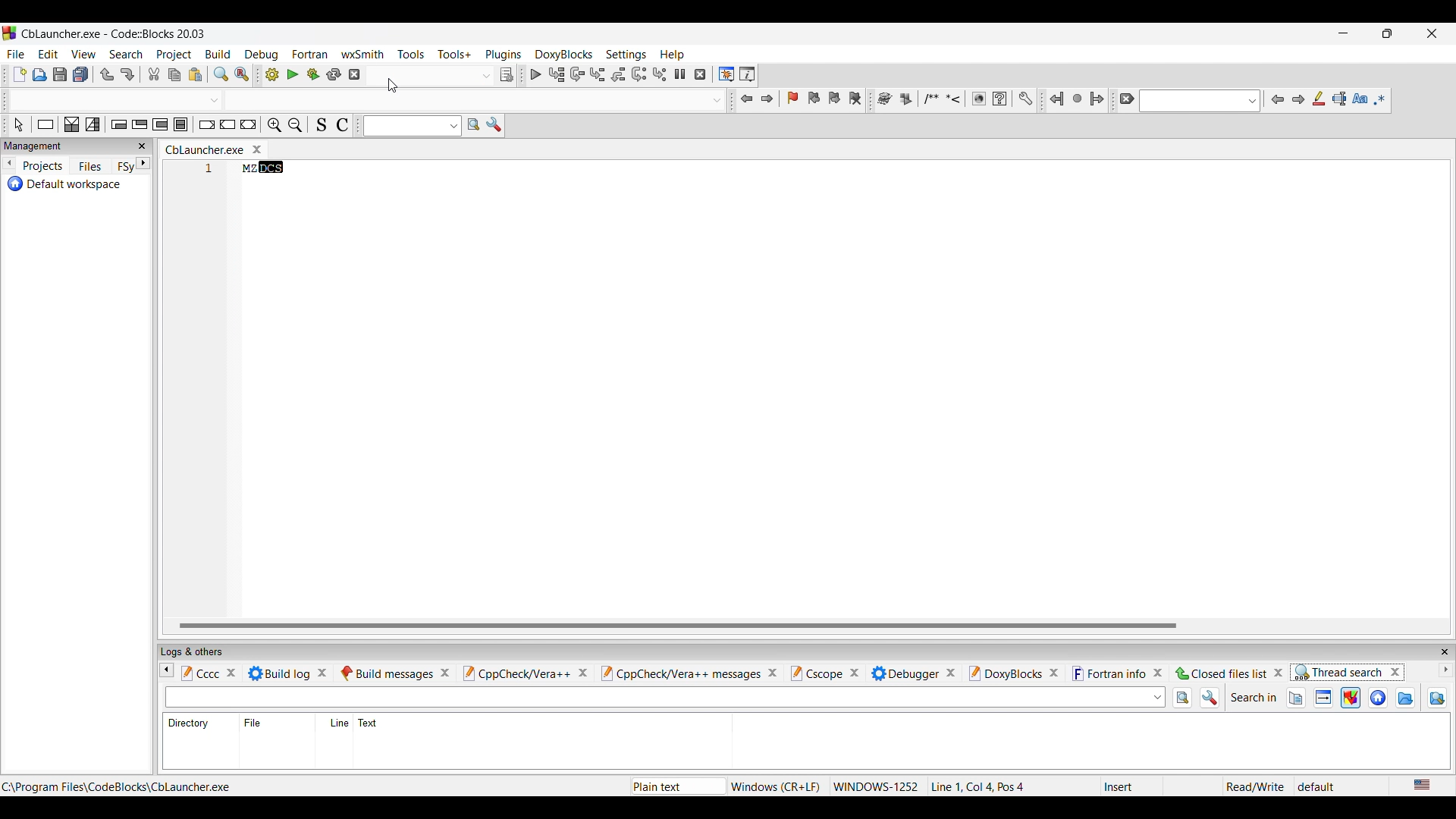 This screenshot has height=819, width=1456. I want to click on Help menu, so click(673, 55).